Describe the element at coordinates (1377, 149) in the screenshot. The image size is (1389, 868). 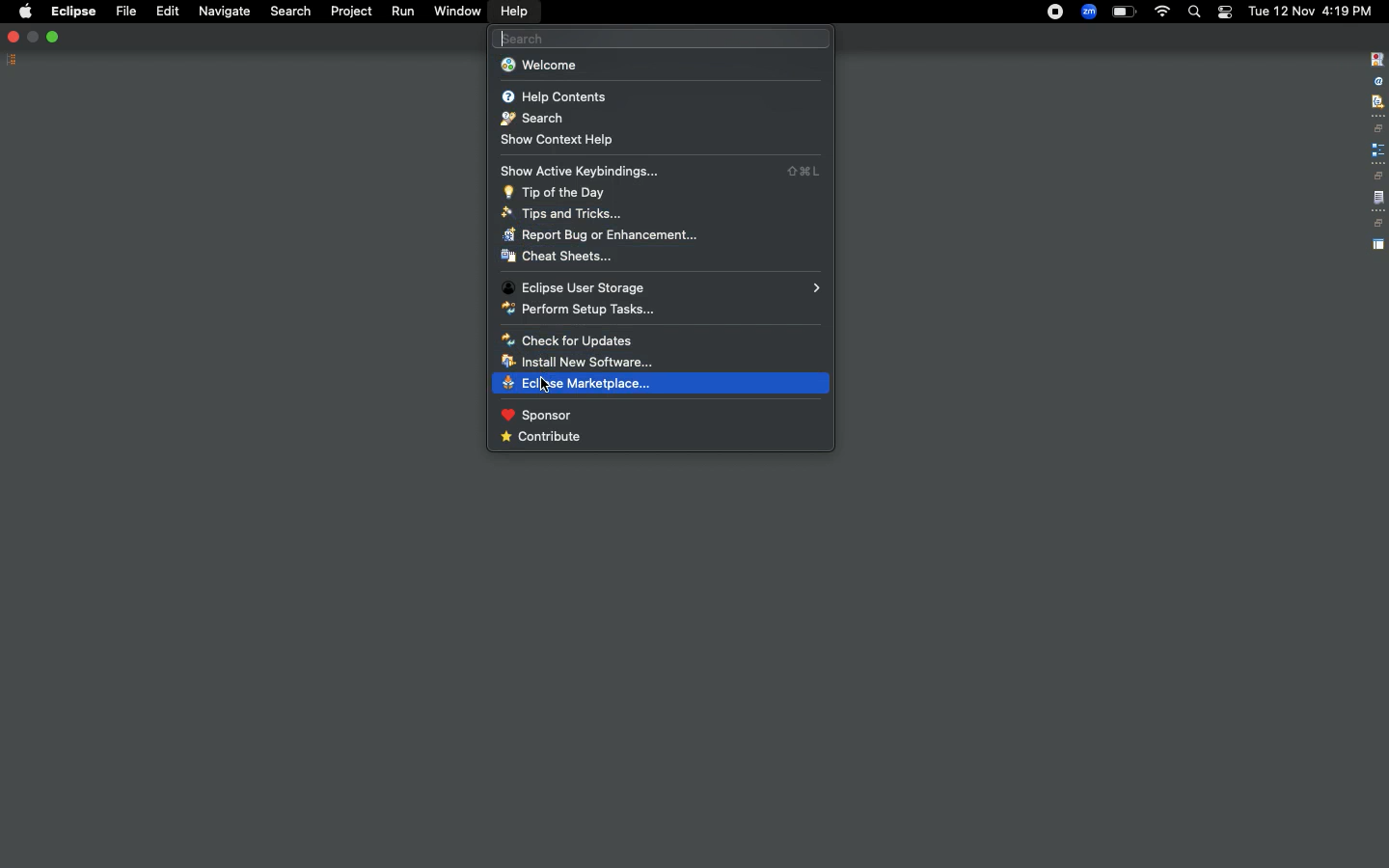
I see `extension point` at that location.